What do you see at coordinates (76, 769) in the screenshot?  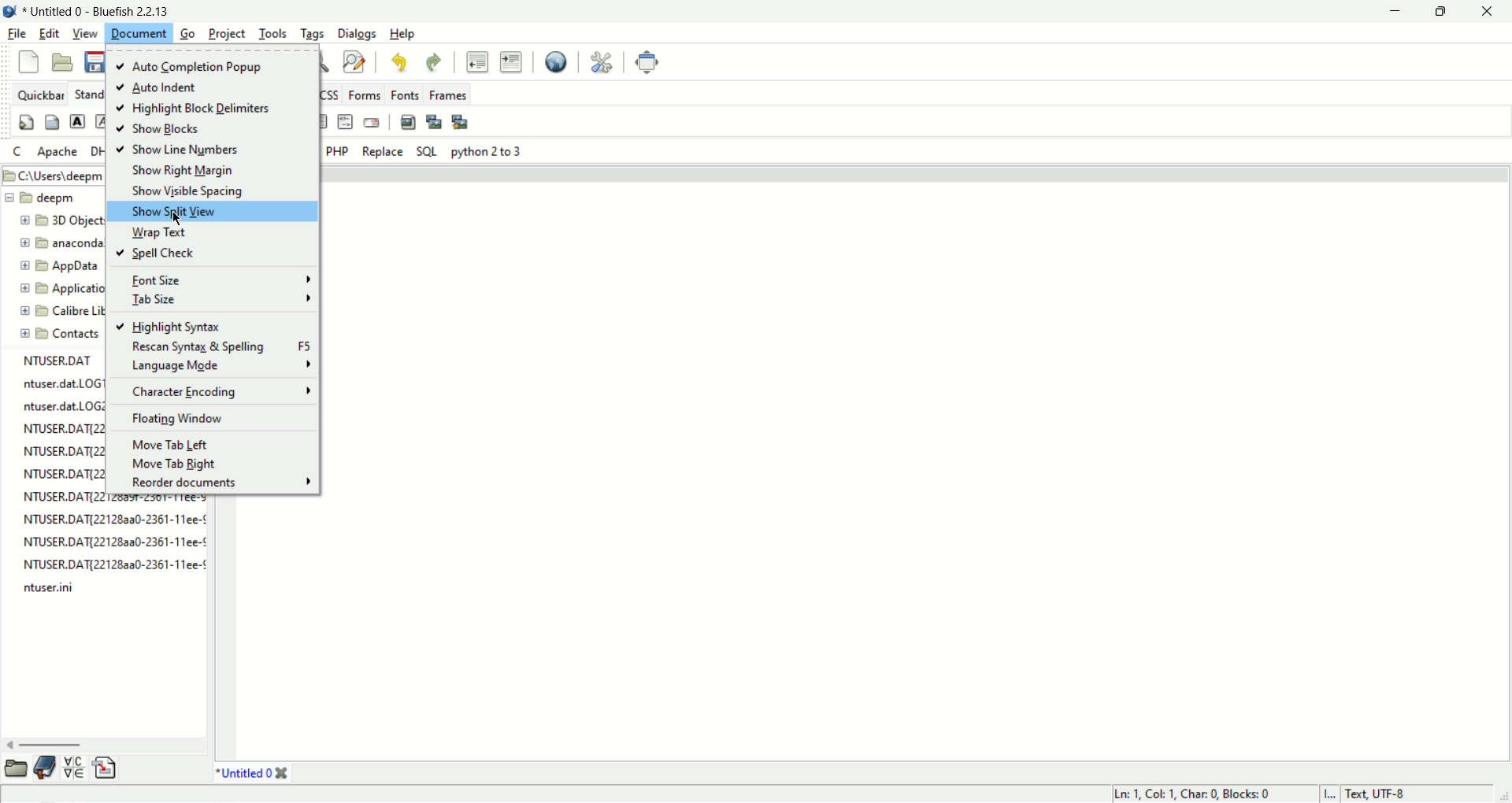 I see `char map` at bounding box center [76, 769].